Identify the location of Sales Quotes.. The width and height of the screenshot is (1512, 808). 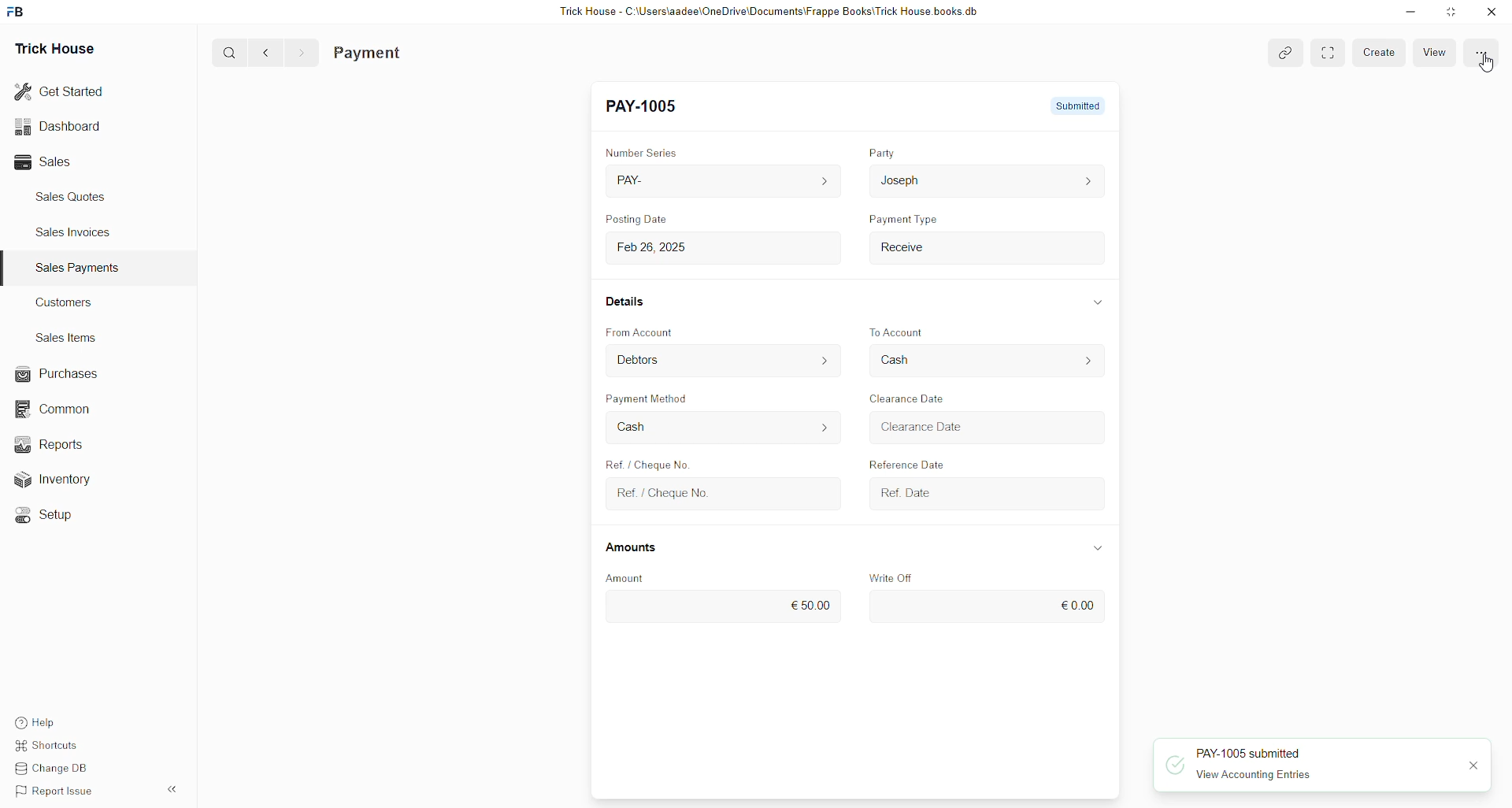
(72, 196).